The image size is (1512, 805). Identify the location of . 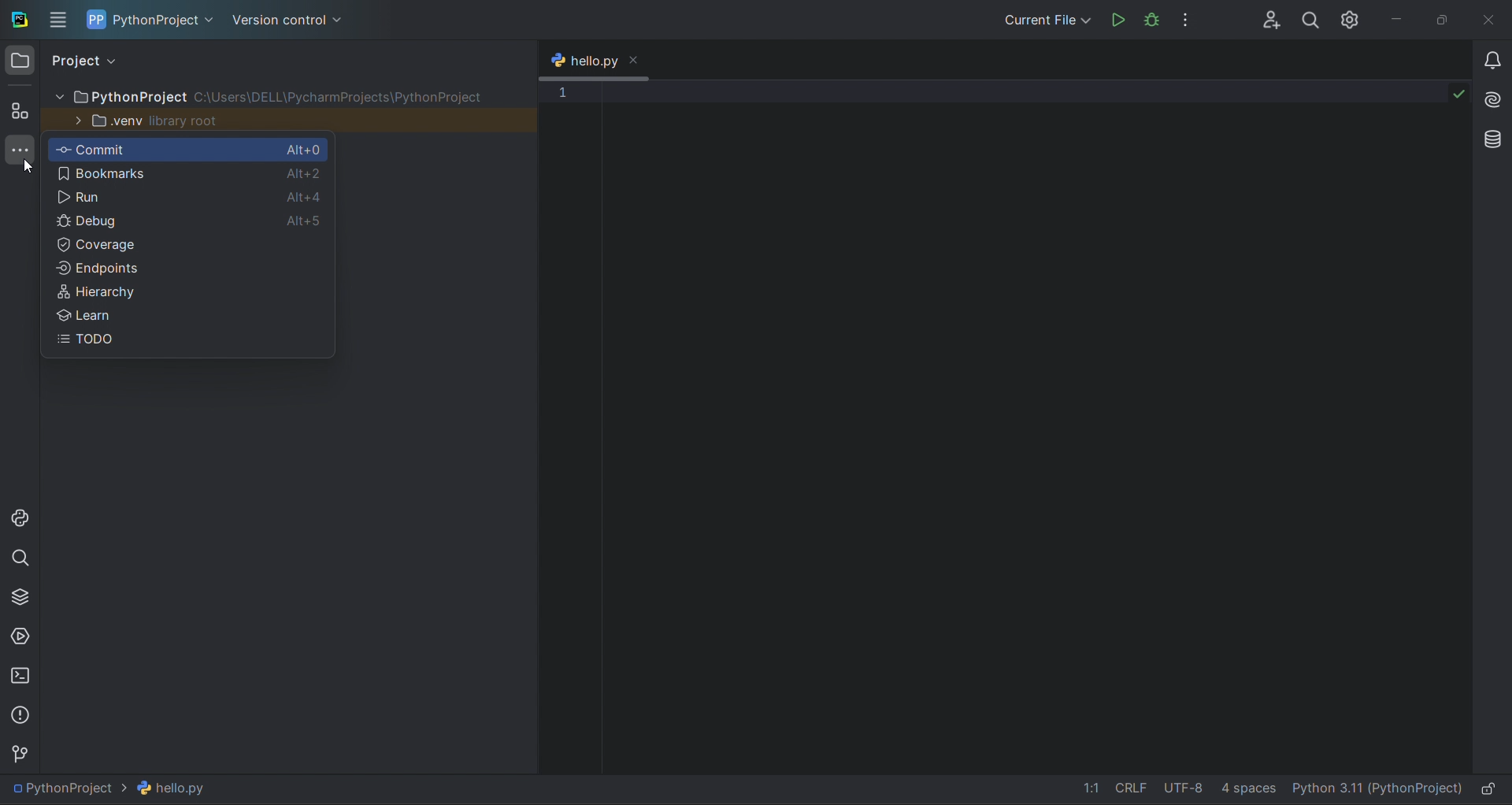
(154, 221).